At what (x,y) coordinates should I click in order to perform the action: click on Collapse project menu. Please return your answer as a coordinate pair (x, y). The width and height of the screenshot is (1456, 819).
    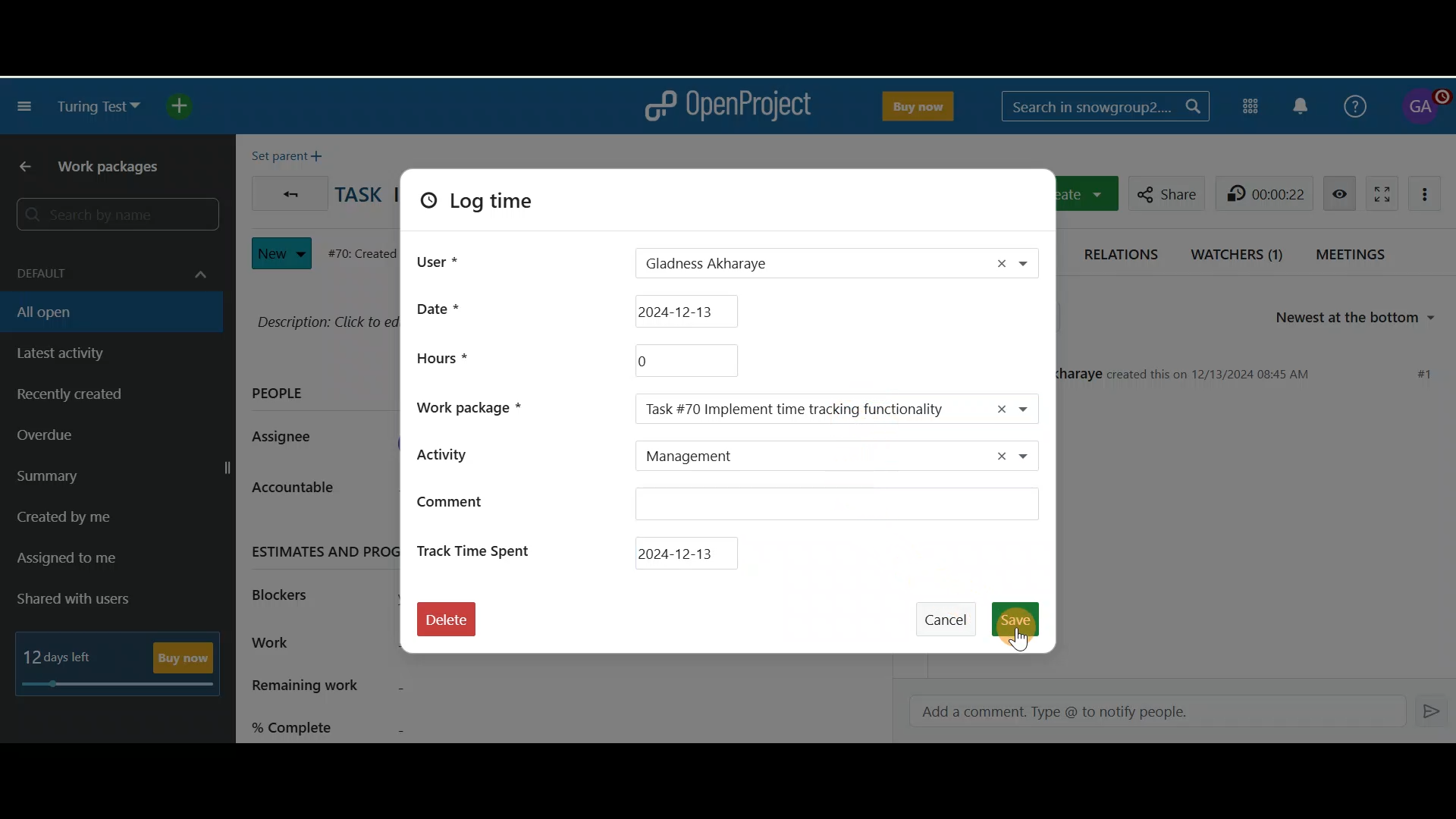
    Looking at the image, I should click on (26, 108).